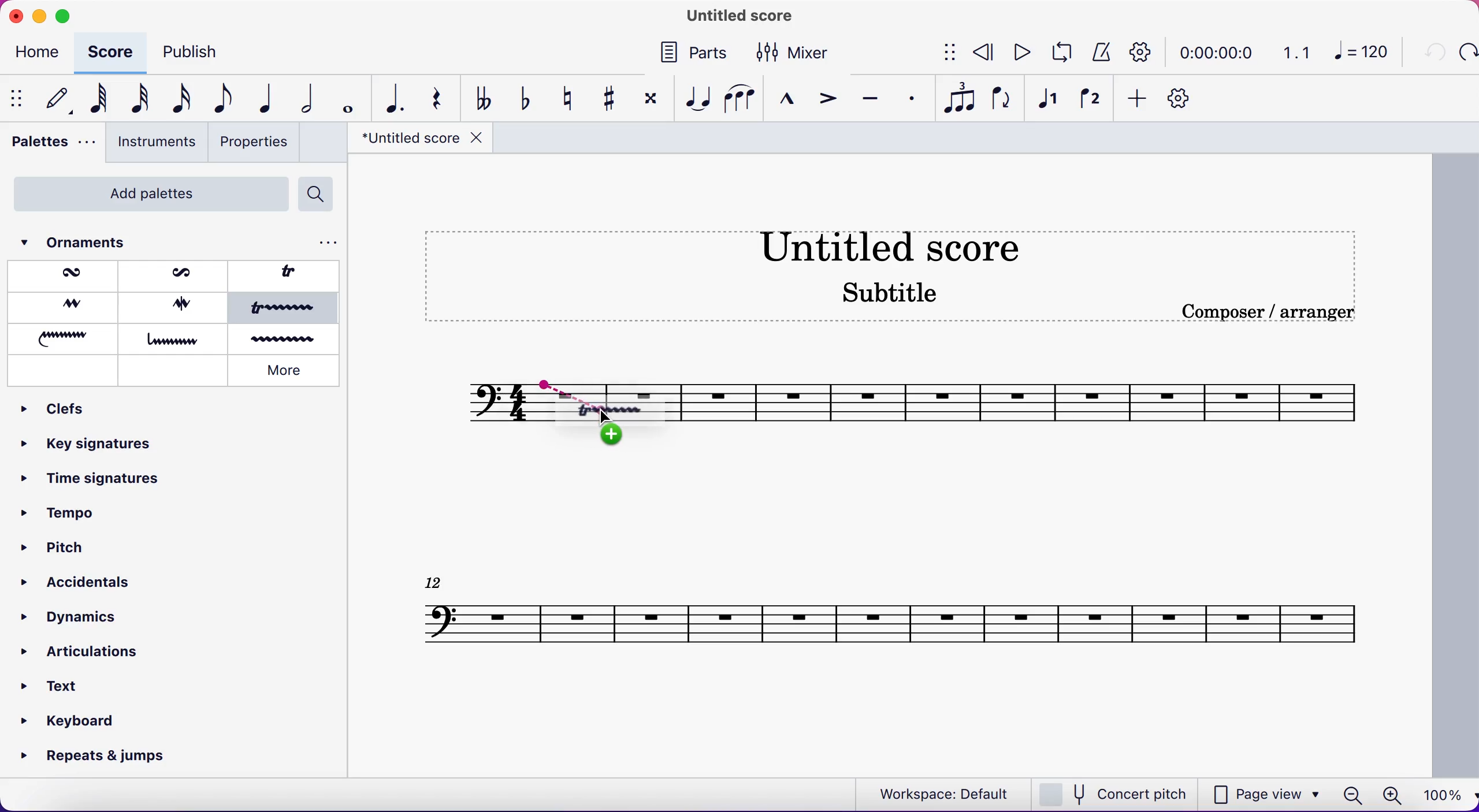 The image size is (1479, 812). Describe the element at coordinates (872, 98) in the screenshot. I see `tenuto` at that location.